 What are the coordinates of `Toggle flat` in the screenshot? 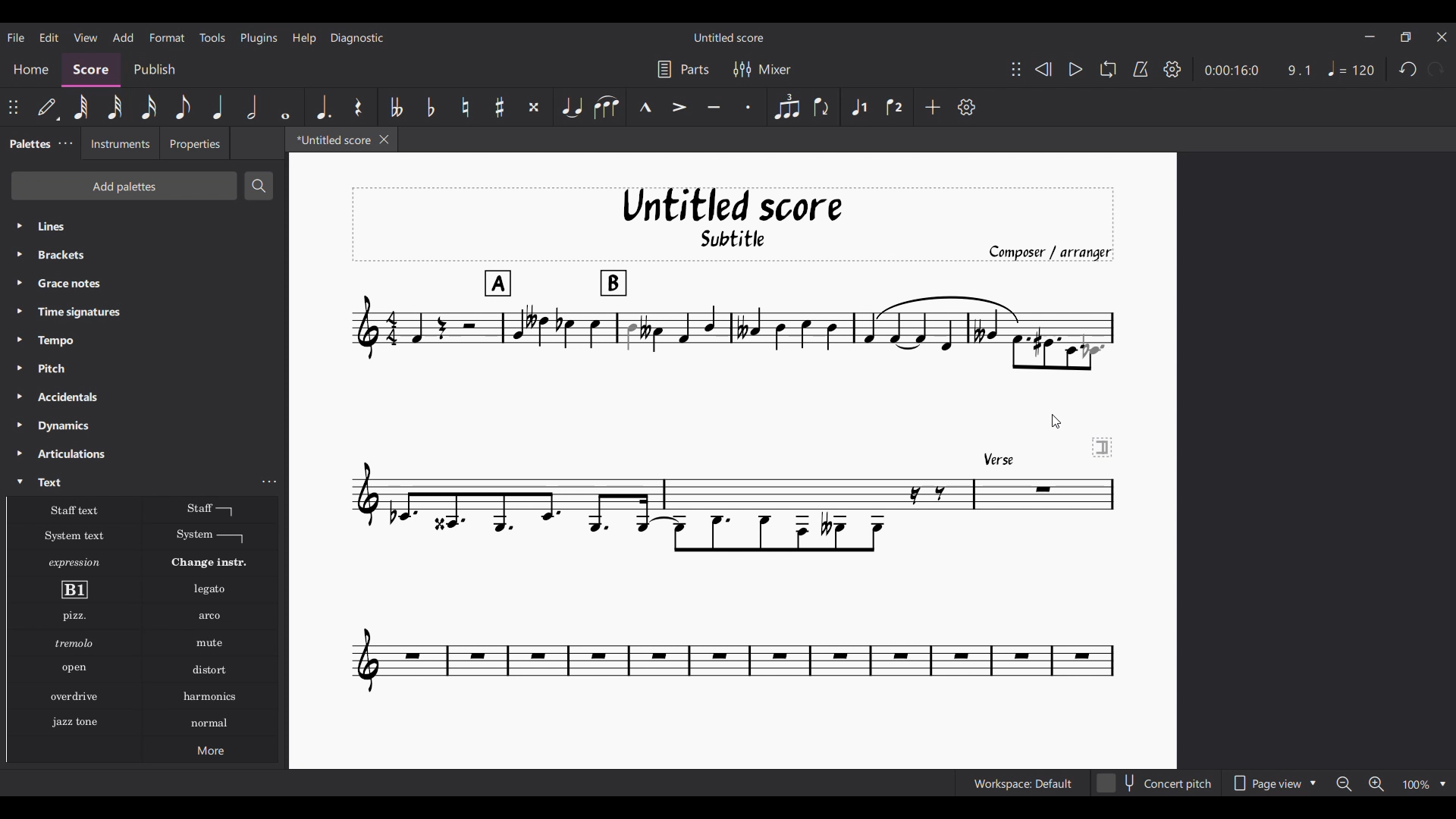 It's located at (431, 107).